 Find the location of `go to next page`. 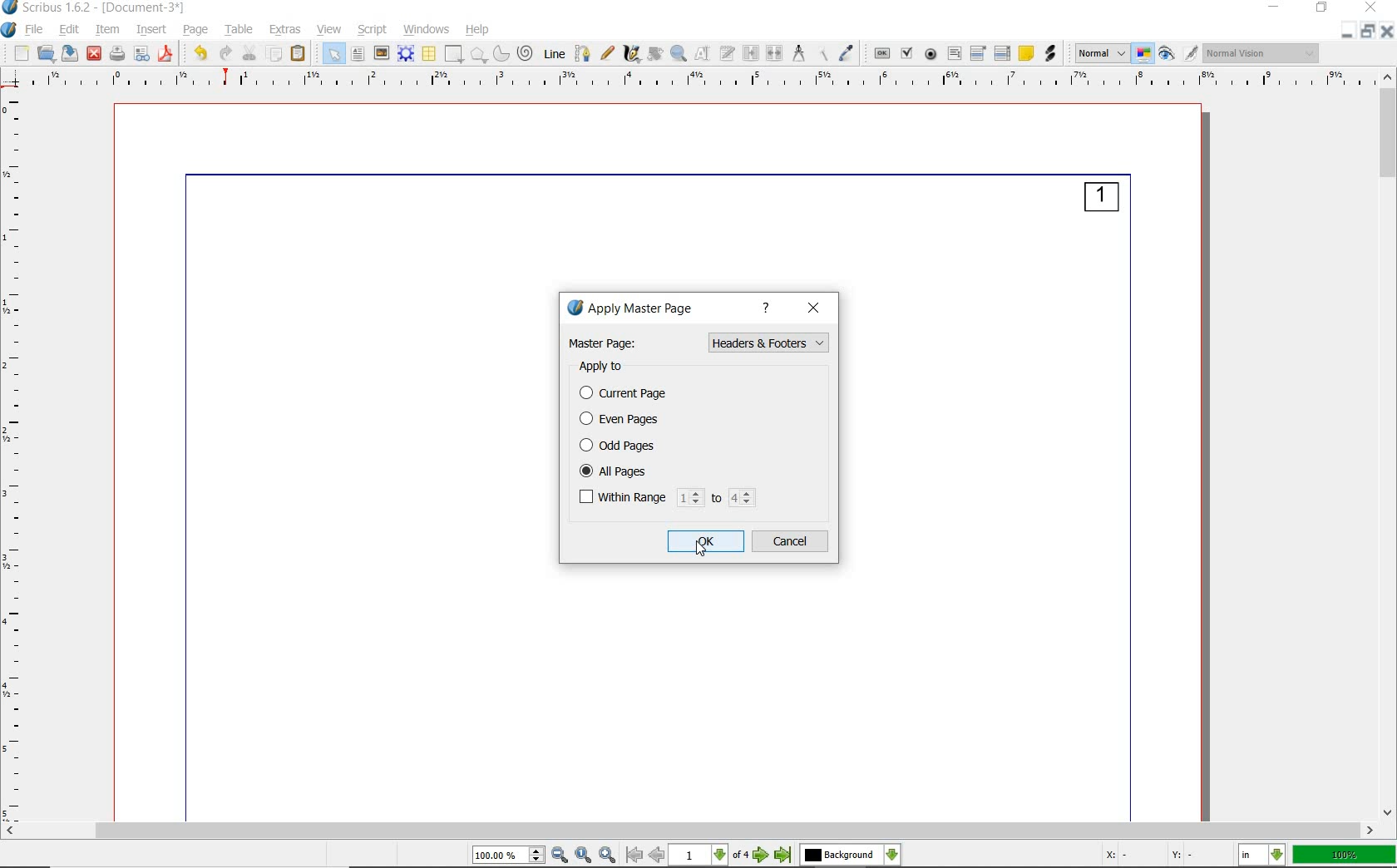

go to next page is located at coordinates (762, 856).